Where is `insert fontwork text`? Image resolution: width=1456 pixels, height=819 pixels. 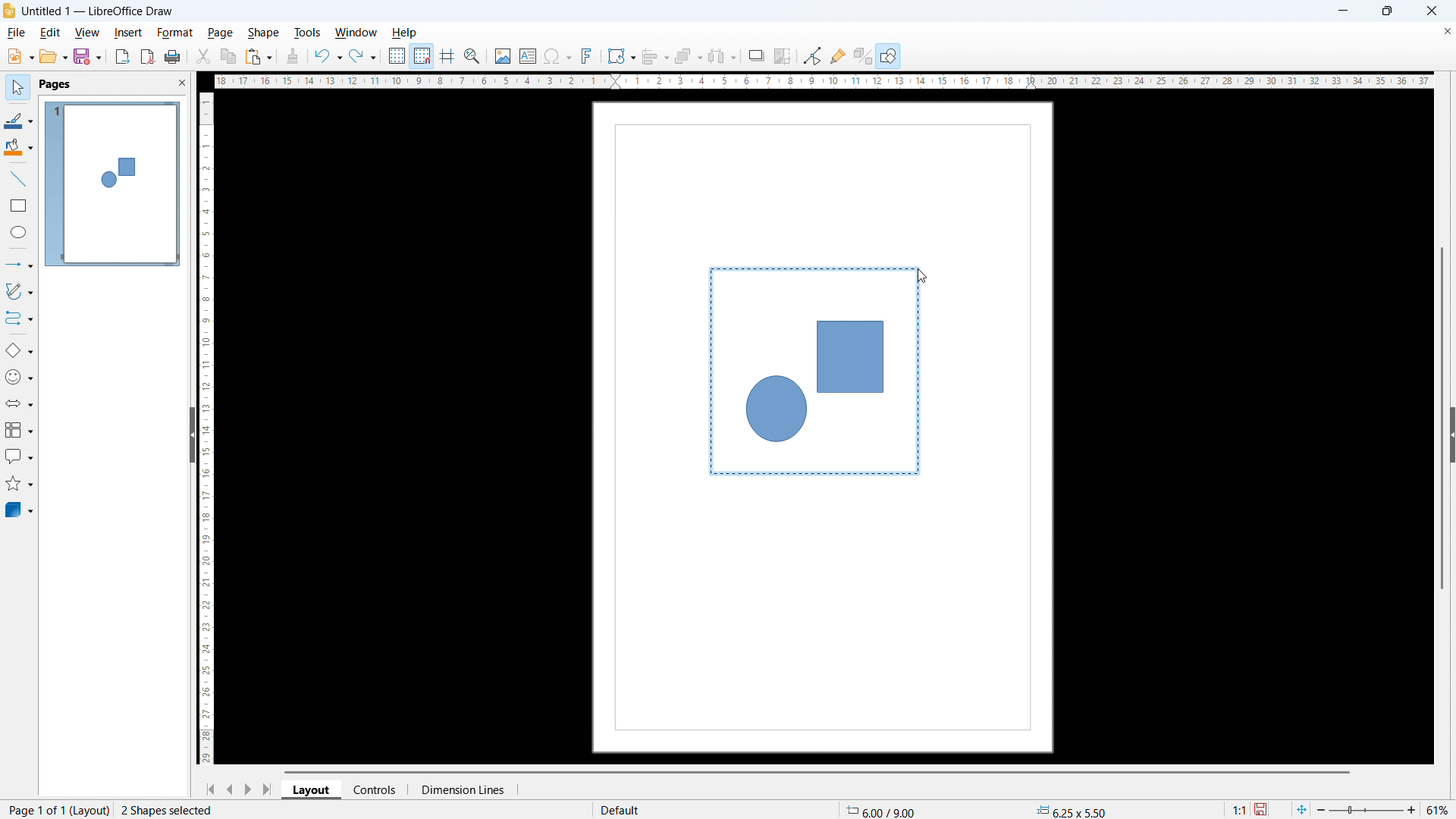
insert fontwork text is located at coordinates (588, 57).